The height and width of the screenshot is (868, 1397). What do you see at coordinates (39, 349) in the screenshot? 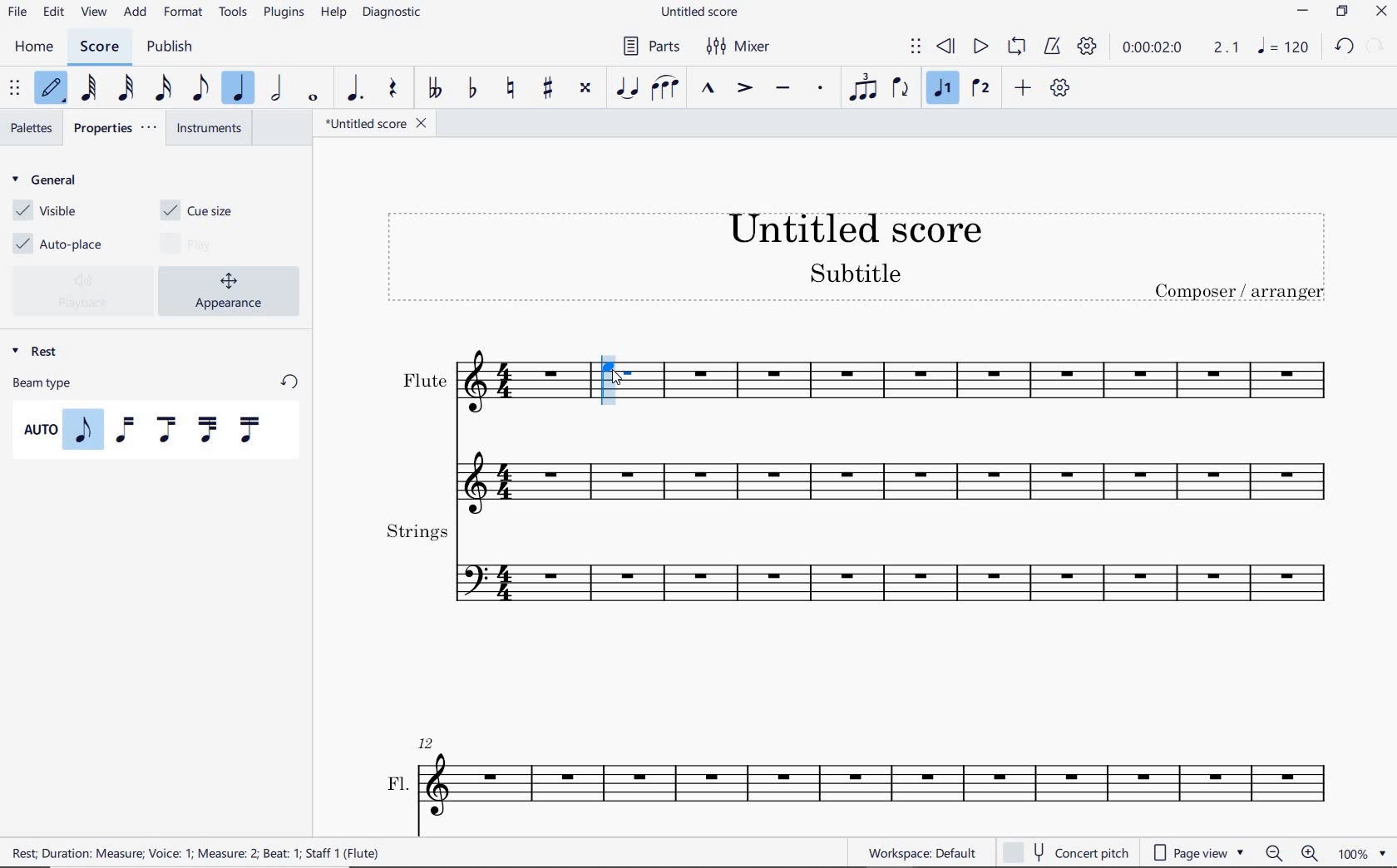
I see `REST` at bounding box center [39, 349].